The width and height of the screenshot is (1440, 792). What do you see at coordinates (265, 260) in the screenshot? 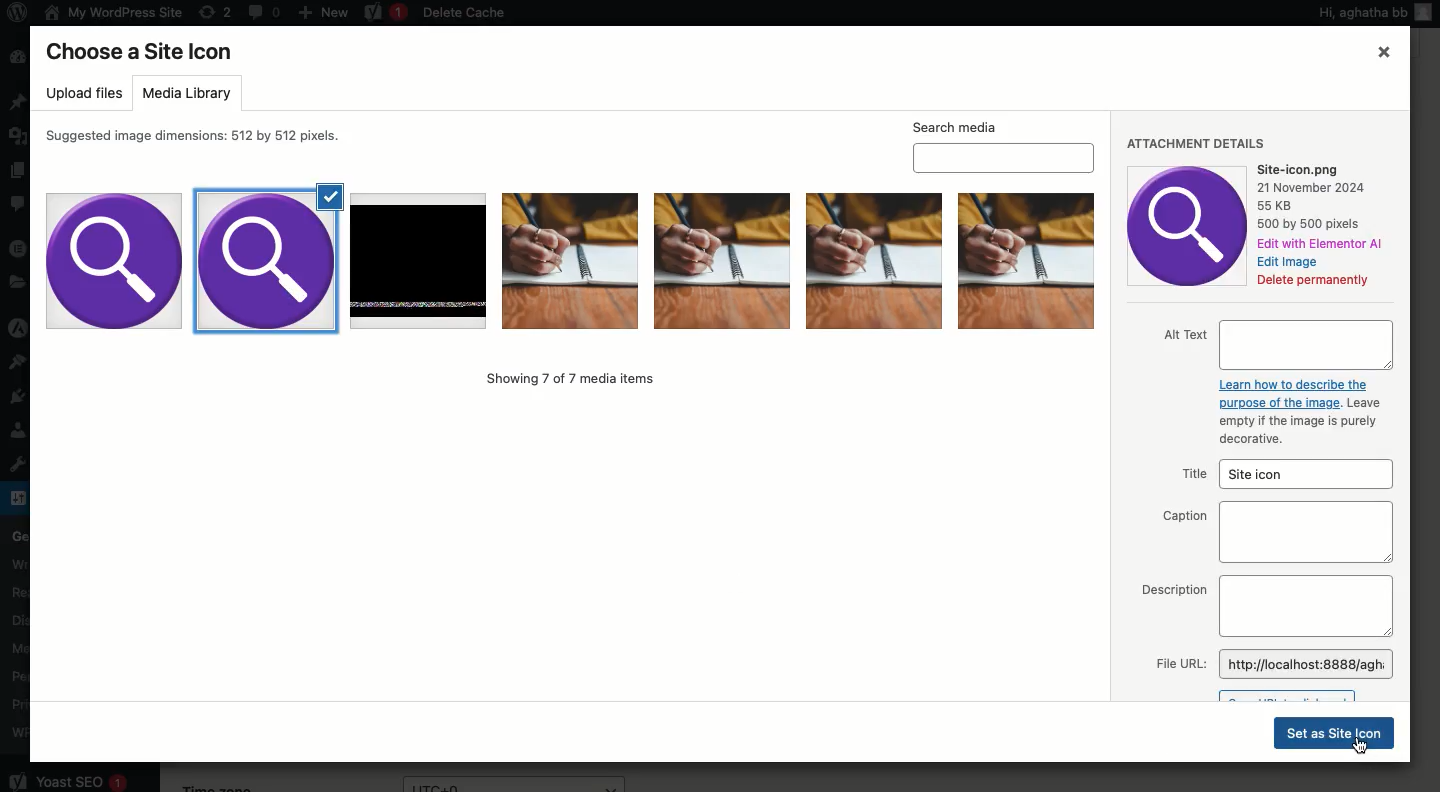
I see `Image selected` at bounding box center [265, 260].